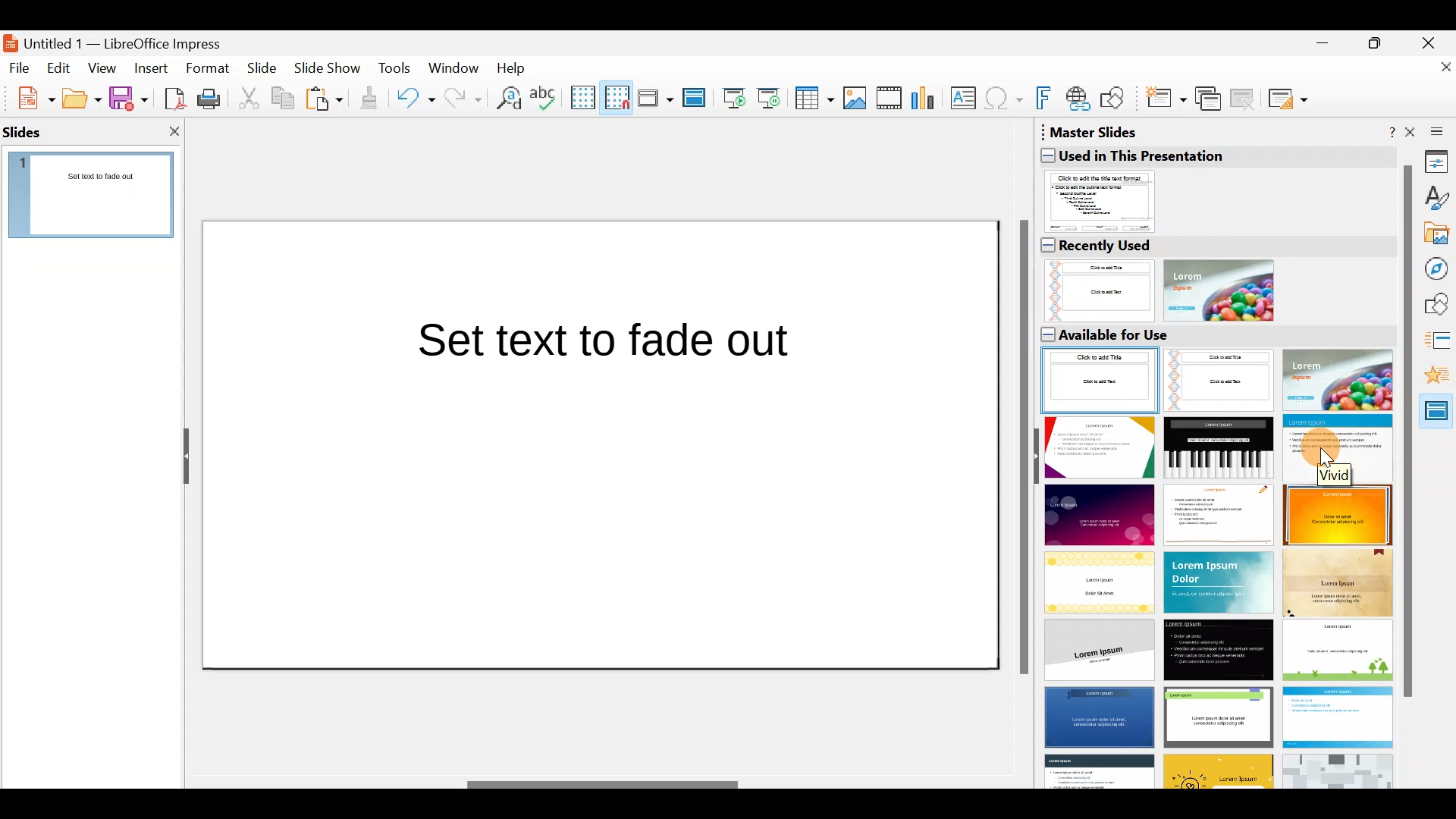  What do you see at coordinates (773, 97) in the screenshot?
I see `Start from current slide` at bounding box center [773, 97].